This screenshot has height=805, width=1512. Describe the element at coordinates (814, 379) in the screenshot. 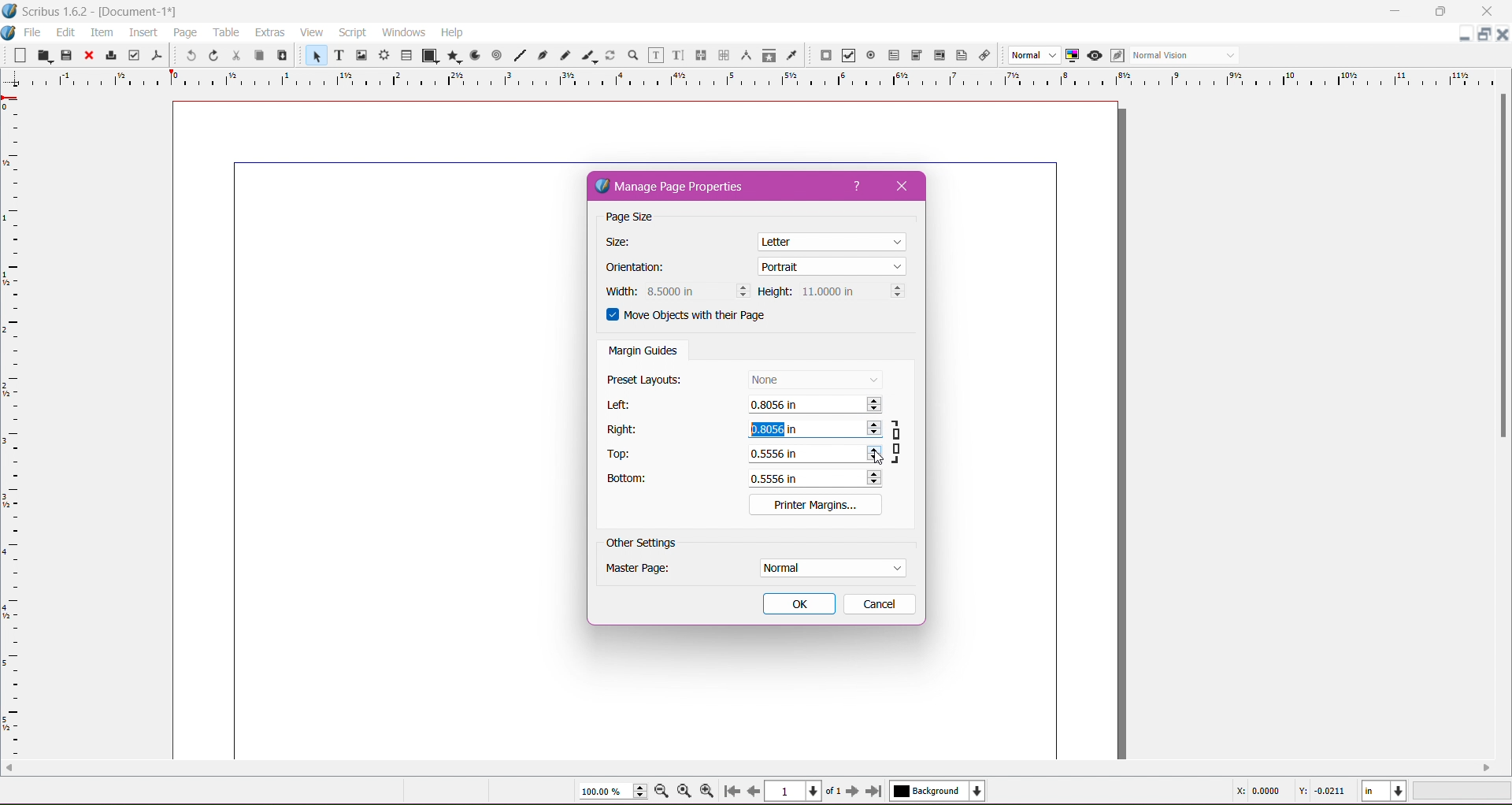

I see `Set Preset Layouts` at that location.